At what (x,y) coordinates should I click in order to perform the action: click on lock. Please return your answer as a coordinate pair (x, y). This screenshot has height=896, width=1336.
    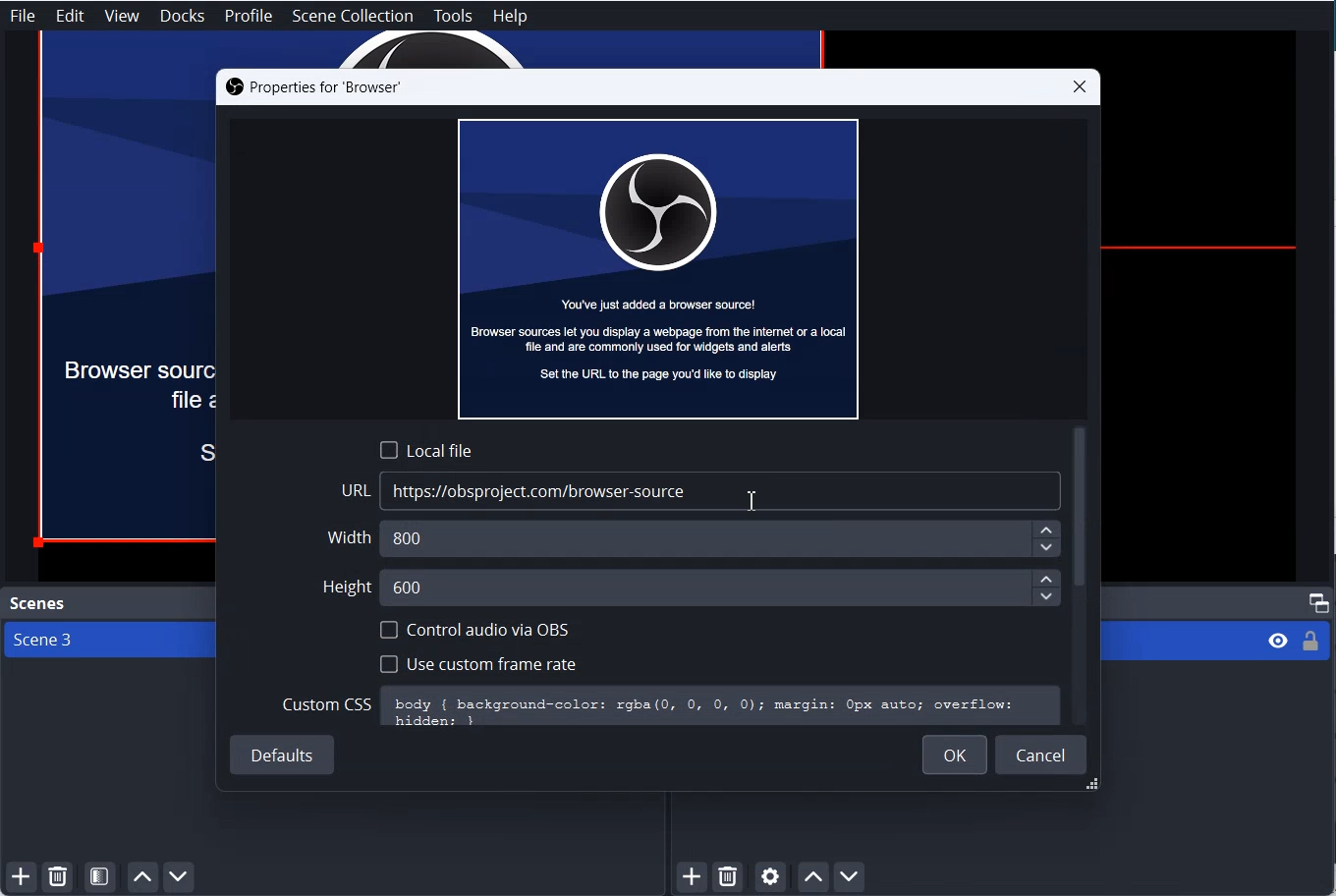
    Looking at the image, I should click on (1309, 644).